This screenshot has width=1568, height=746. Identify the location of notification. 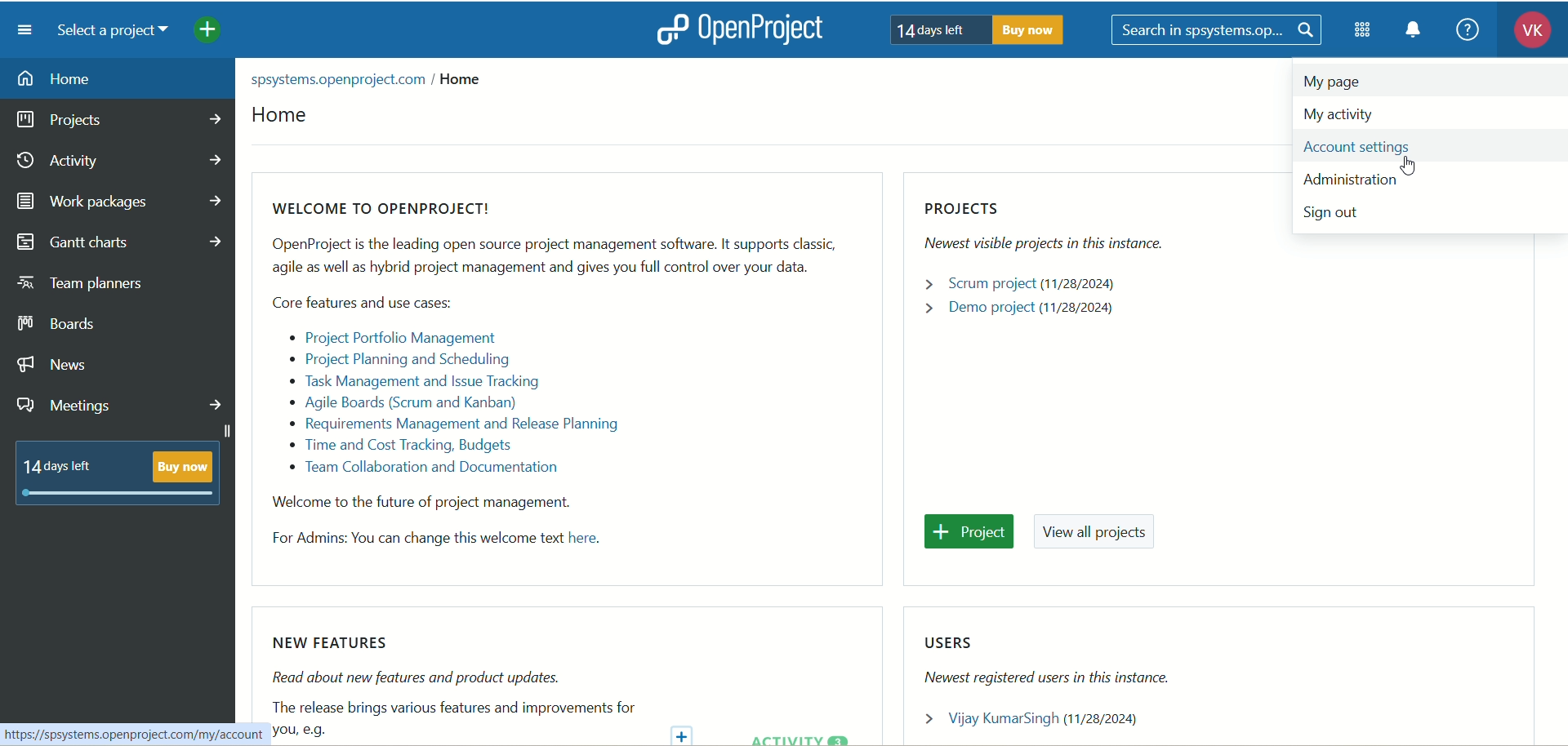
(1419, 33).